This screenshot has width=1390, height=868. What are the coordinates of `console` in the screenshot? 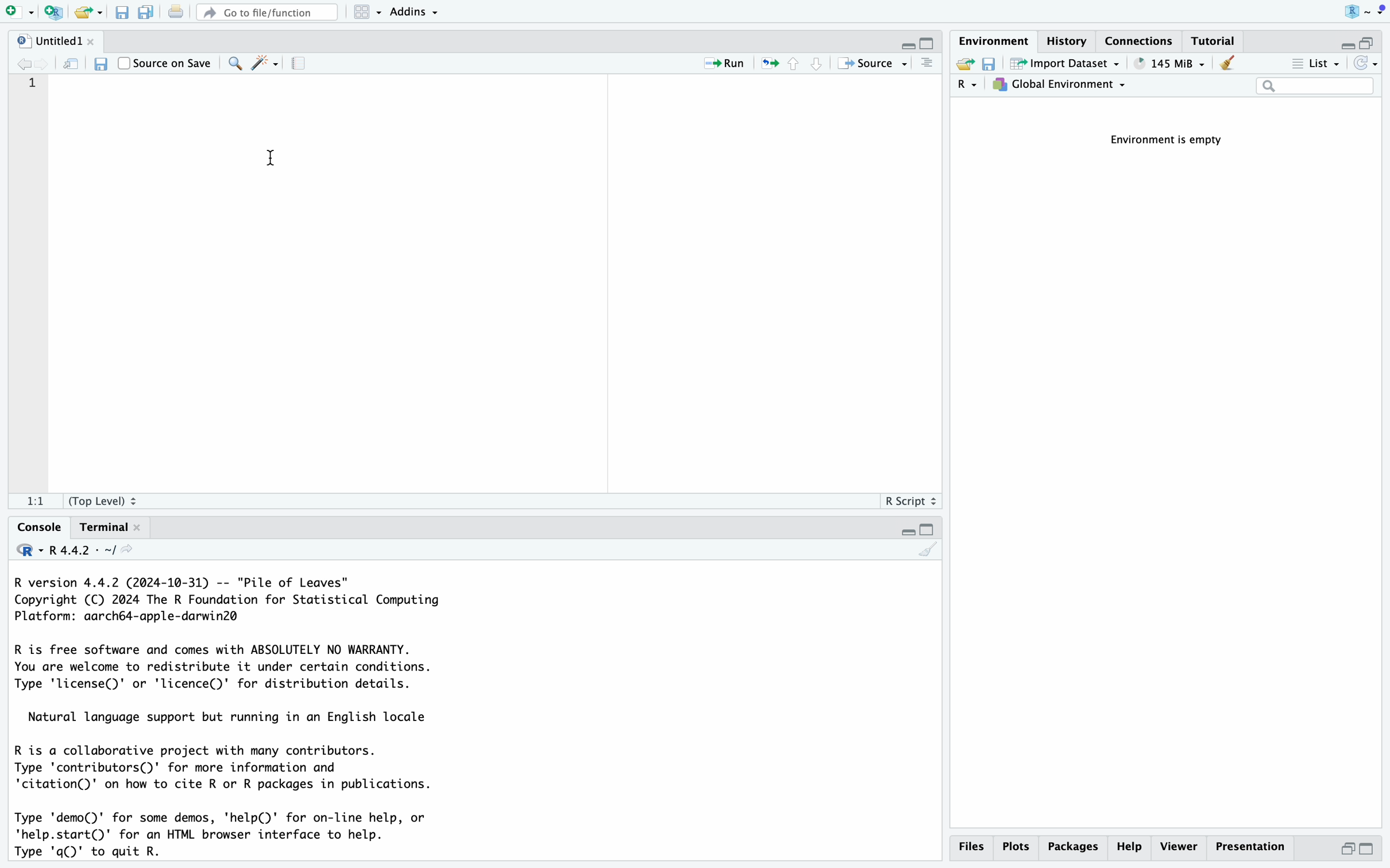 It's located at (34, 526).